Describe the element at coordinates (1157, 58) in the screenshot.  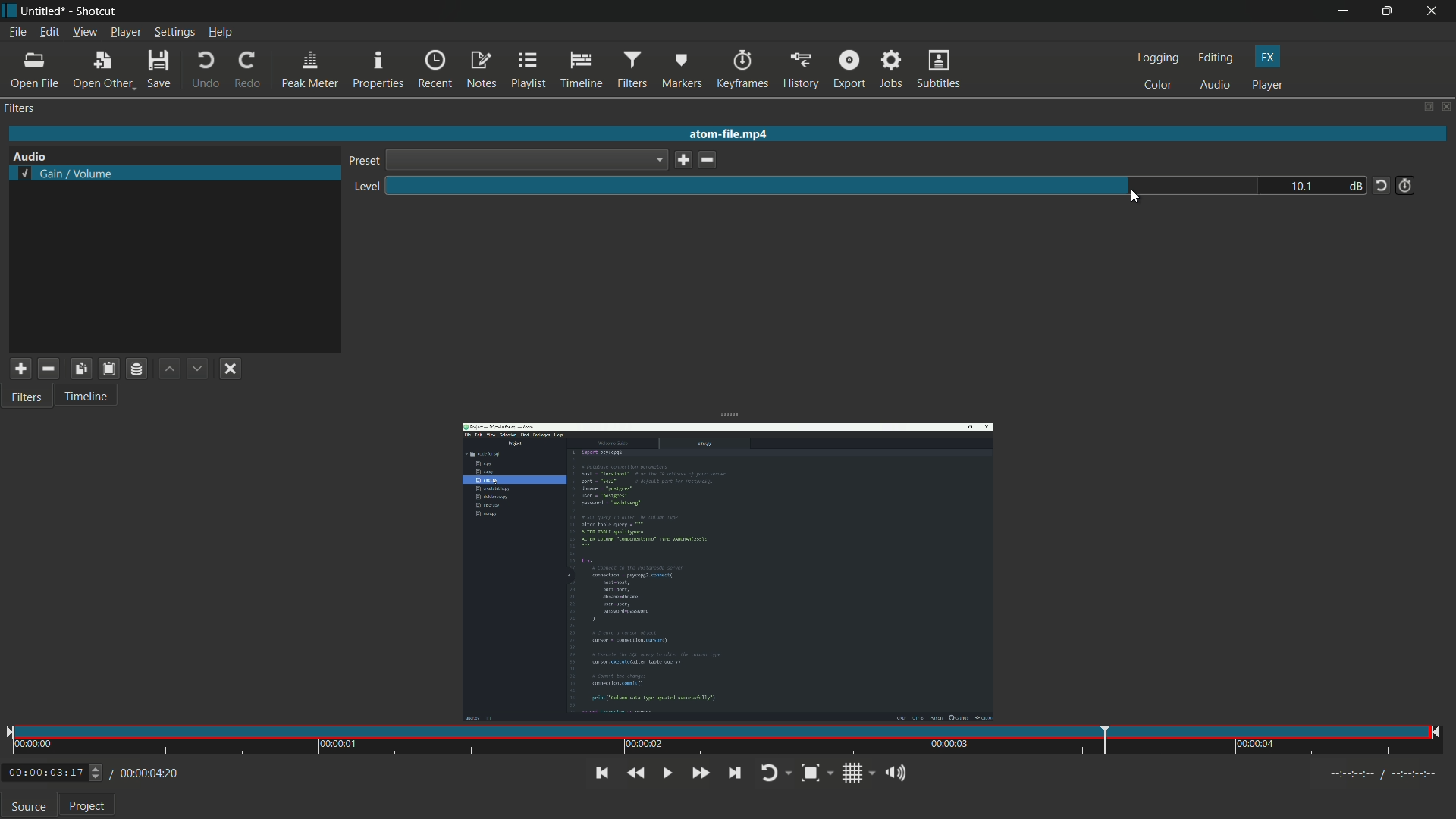
I see `logging` at that location.